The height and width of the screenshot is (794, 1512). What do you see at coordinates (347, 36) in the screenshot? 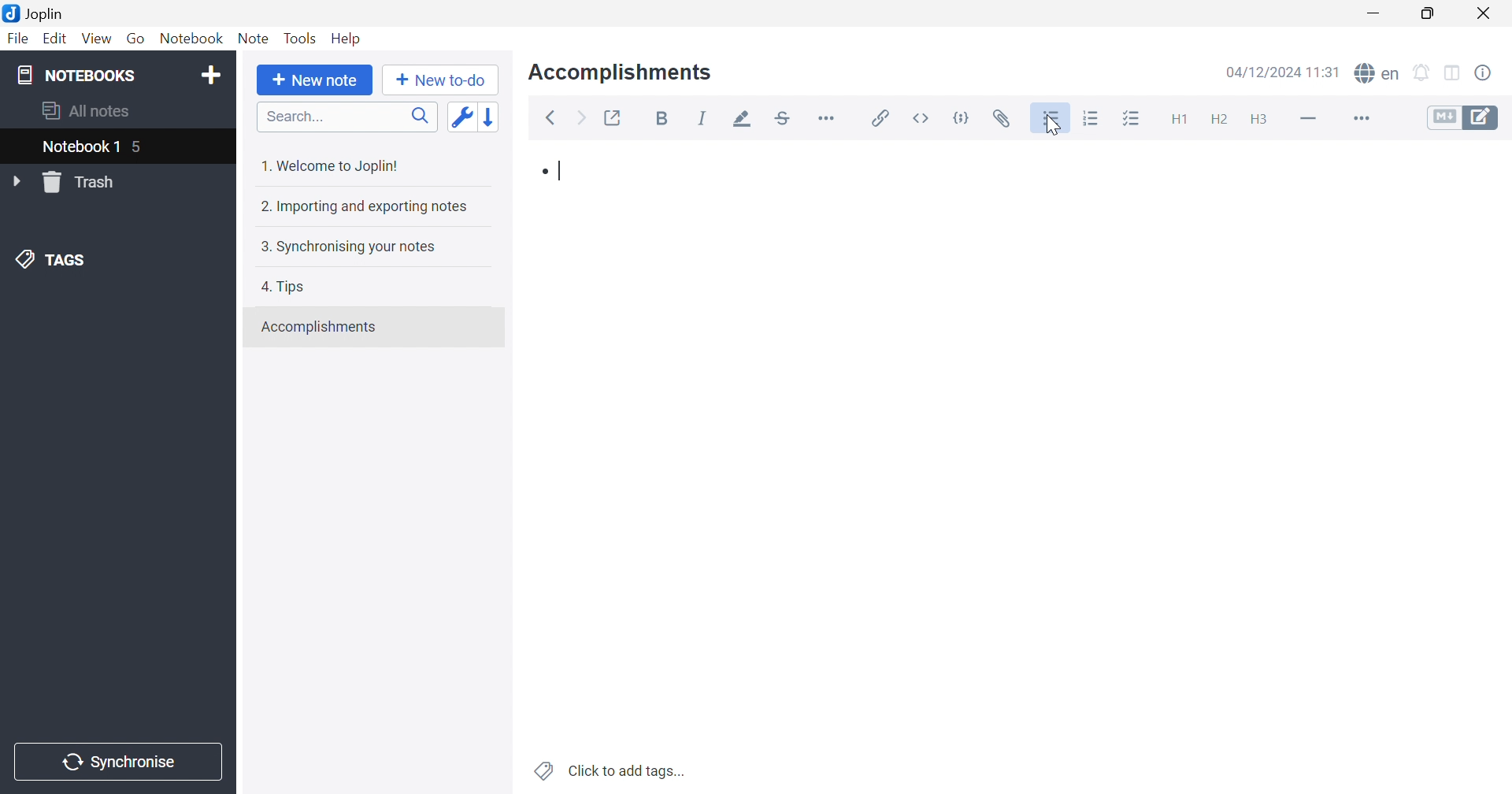
I see `Help` at bounding box center [347, 36].